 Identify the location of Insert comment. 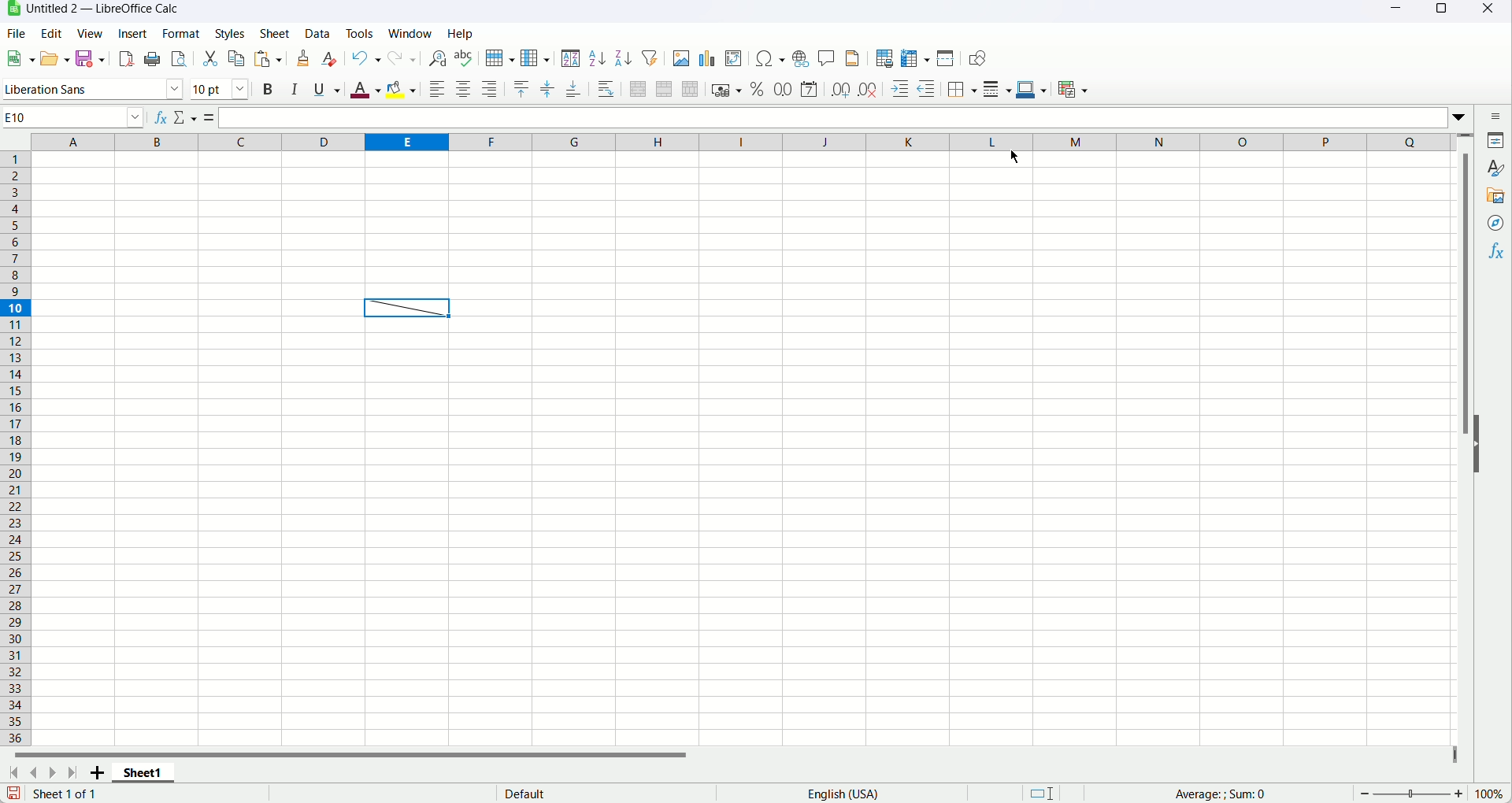
(826, 58).